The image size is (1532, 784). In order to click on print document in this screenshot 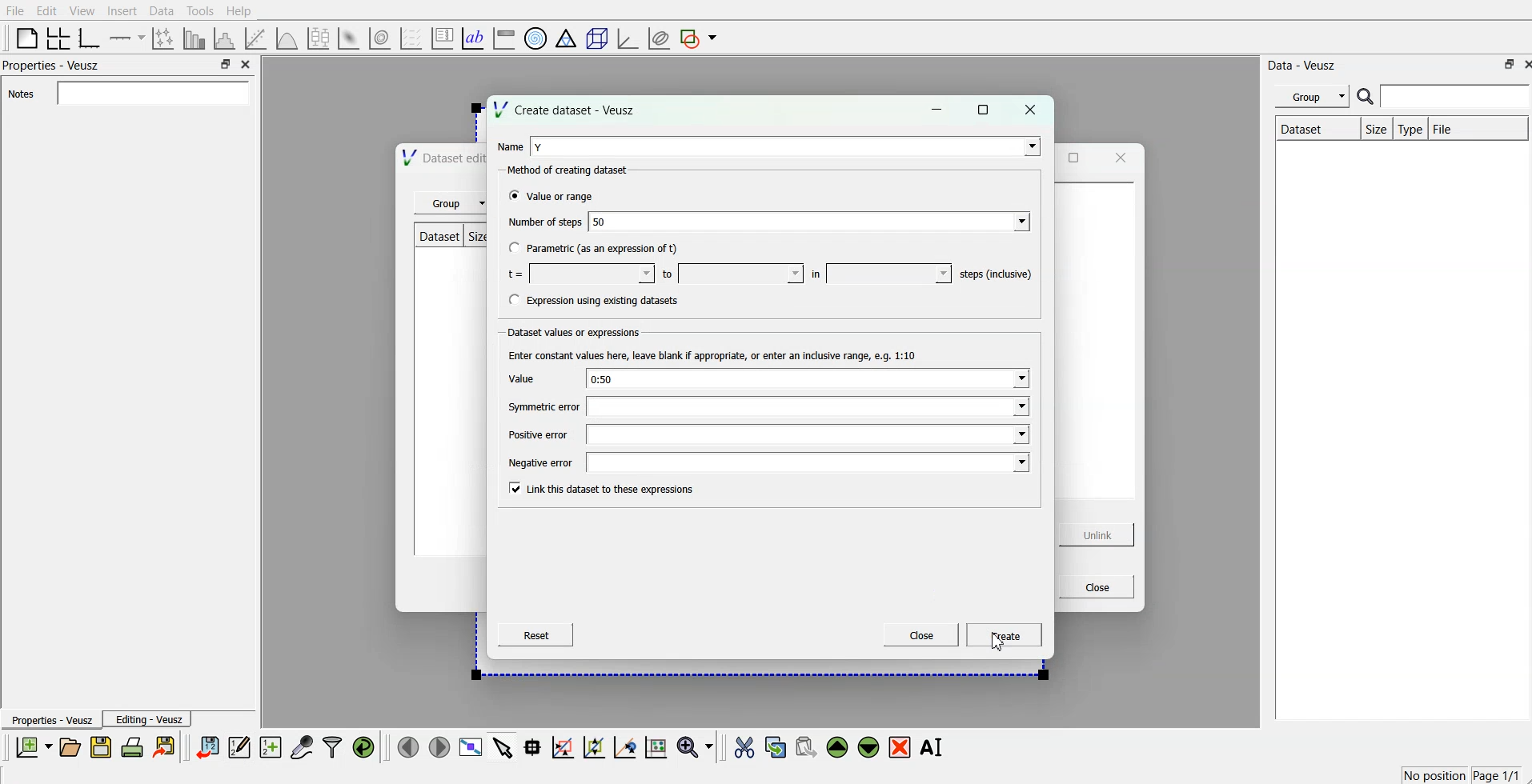, I will do `click(133, 749)`.